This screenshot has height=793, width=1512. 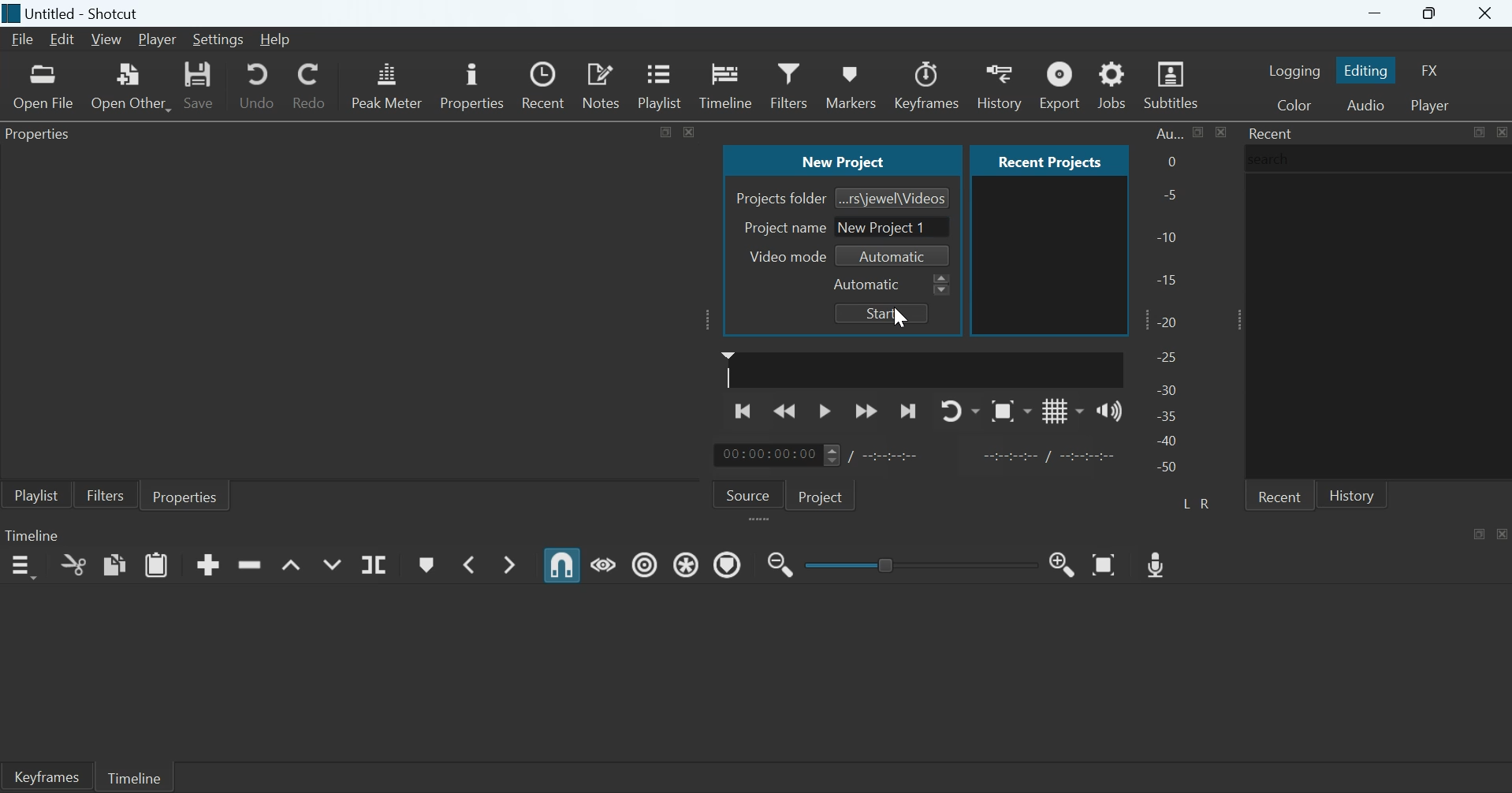 I want to click on Filters, so click(x=105, y=494).